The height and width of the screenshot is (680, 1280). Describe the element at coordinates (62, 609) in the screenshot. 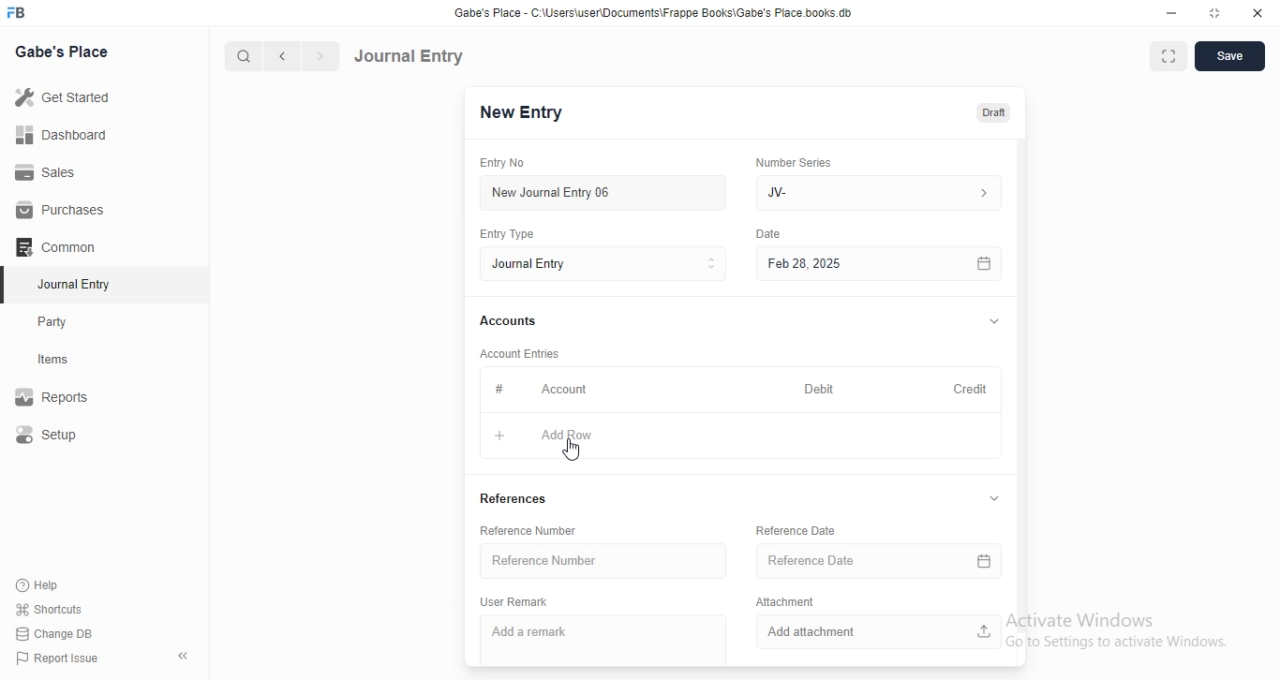

I see `‘Shortcuts` at that location.